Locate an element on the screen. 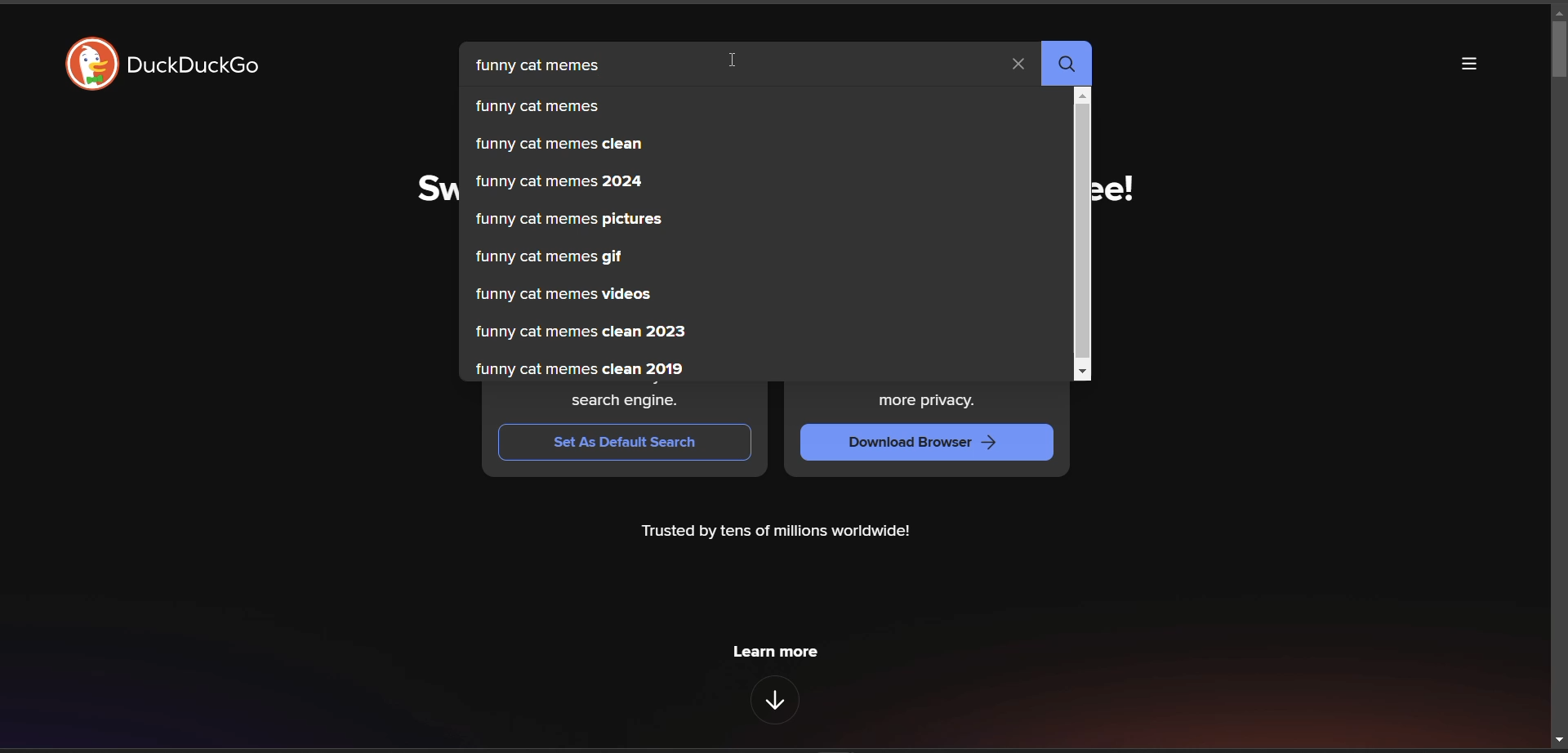 The image size is (1568, 753). funny cat memes is located at coordinates (537, 106).